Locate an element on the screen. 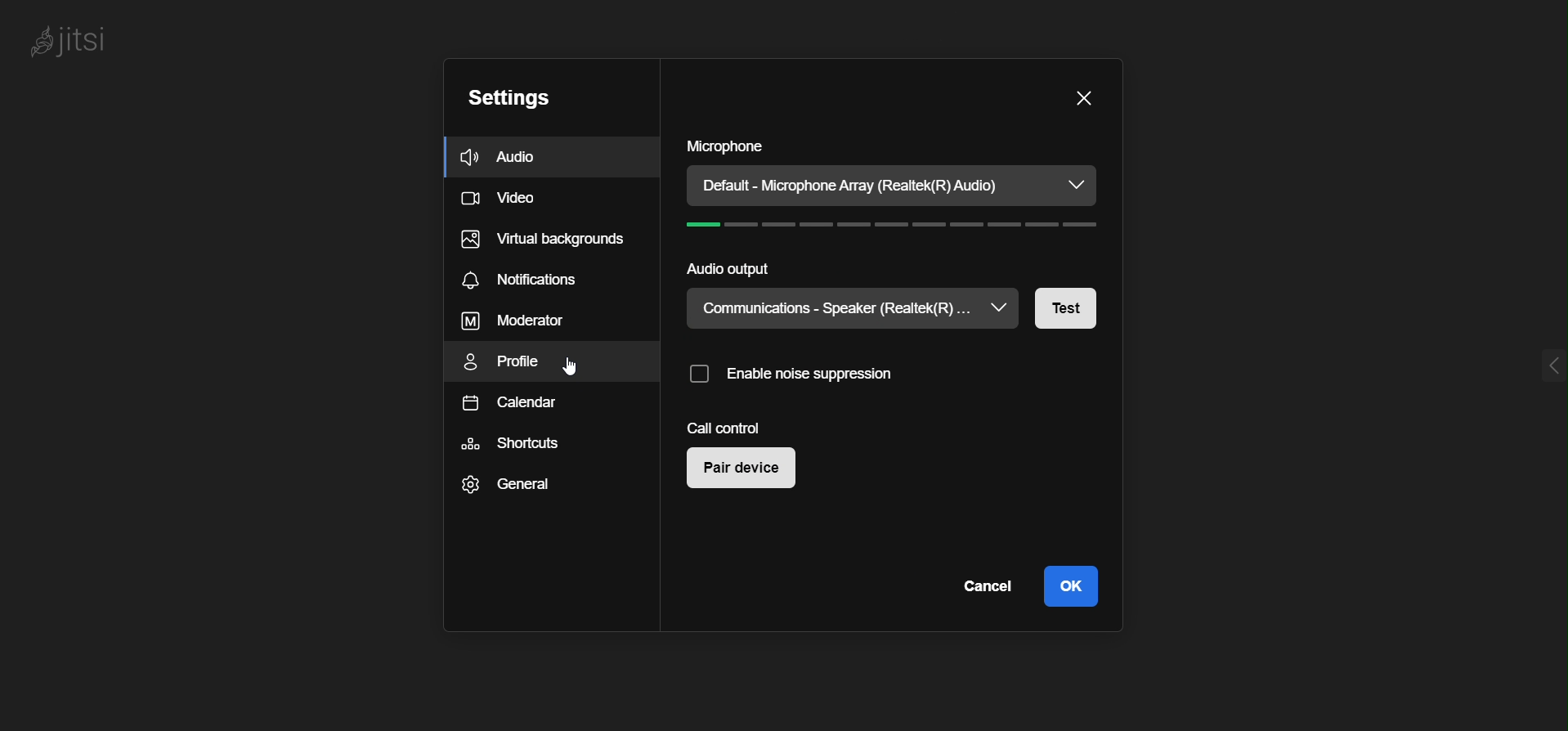 The height and width of the screenshot is (731, 1568). cancel is located at coordinates (986, 587).